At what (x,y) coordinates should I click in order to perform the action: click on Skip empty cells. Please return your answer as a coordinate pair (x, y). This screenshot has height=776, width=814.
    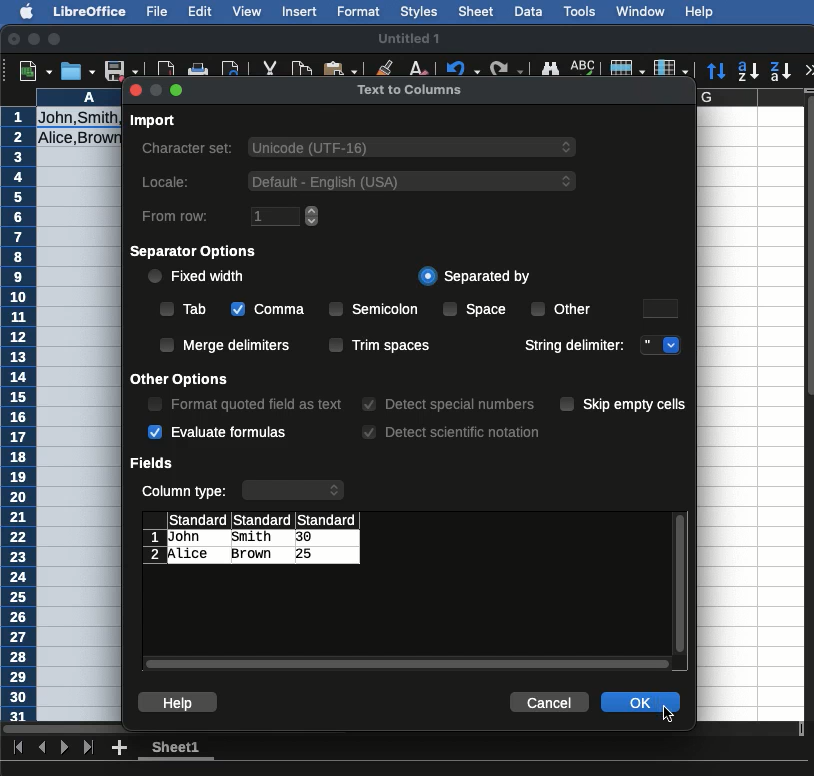
    Looking at the image, I should click on (625, 404).